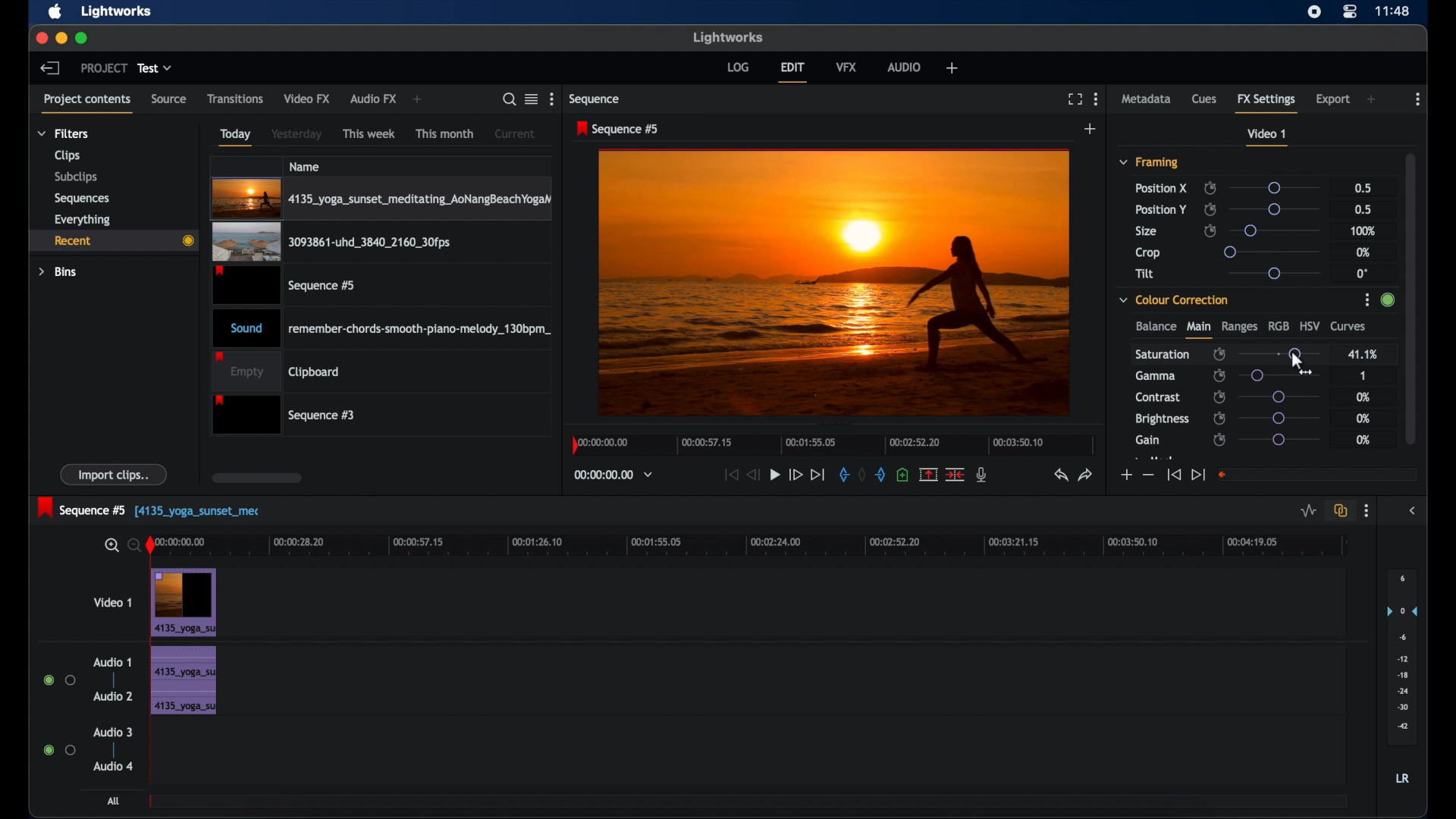  Describe the element at coordinates (1175, 299) in the screenshot. I see `color correction` at that location.